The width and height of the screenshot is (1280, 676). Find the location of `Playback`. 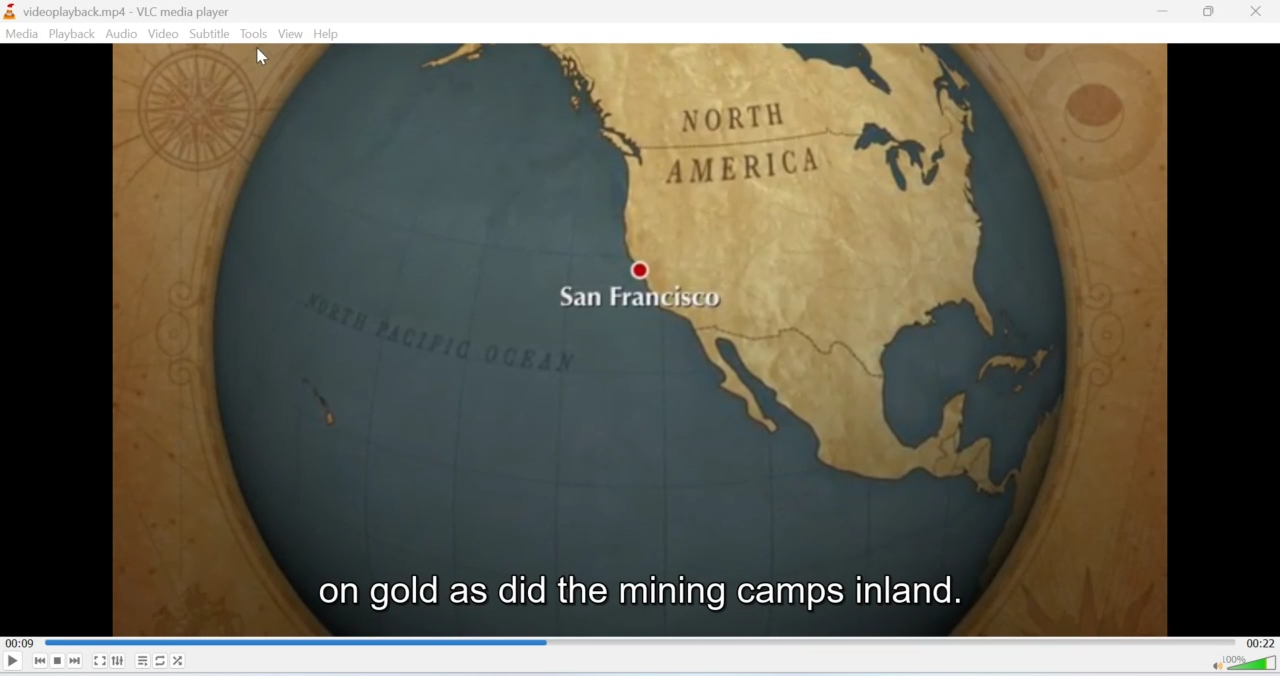

Playback is located at coordinates (72, 34).